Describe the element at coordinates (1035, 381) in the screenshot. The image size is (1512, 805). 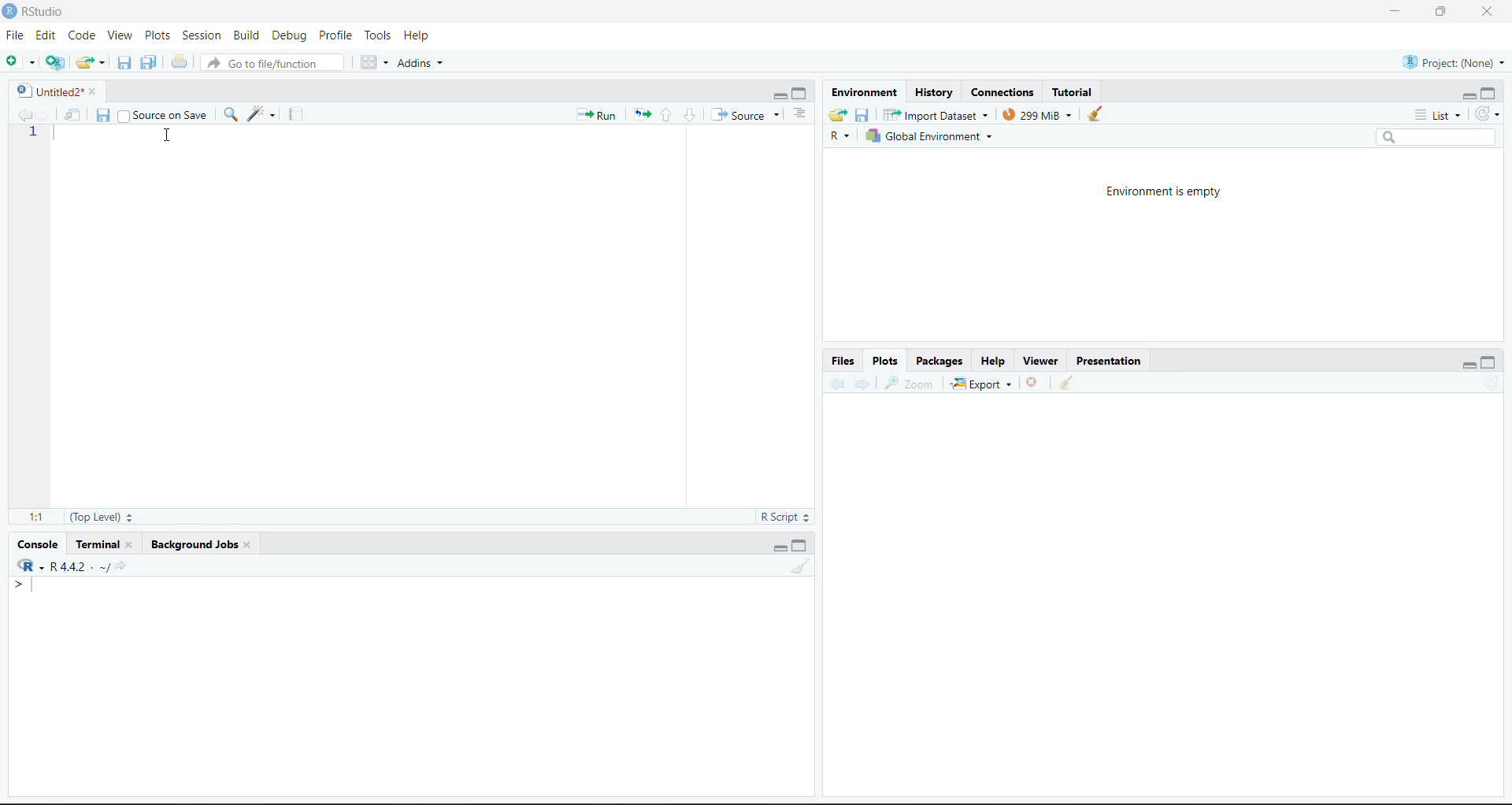
I see `remove the current plot` at that location.